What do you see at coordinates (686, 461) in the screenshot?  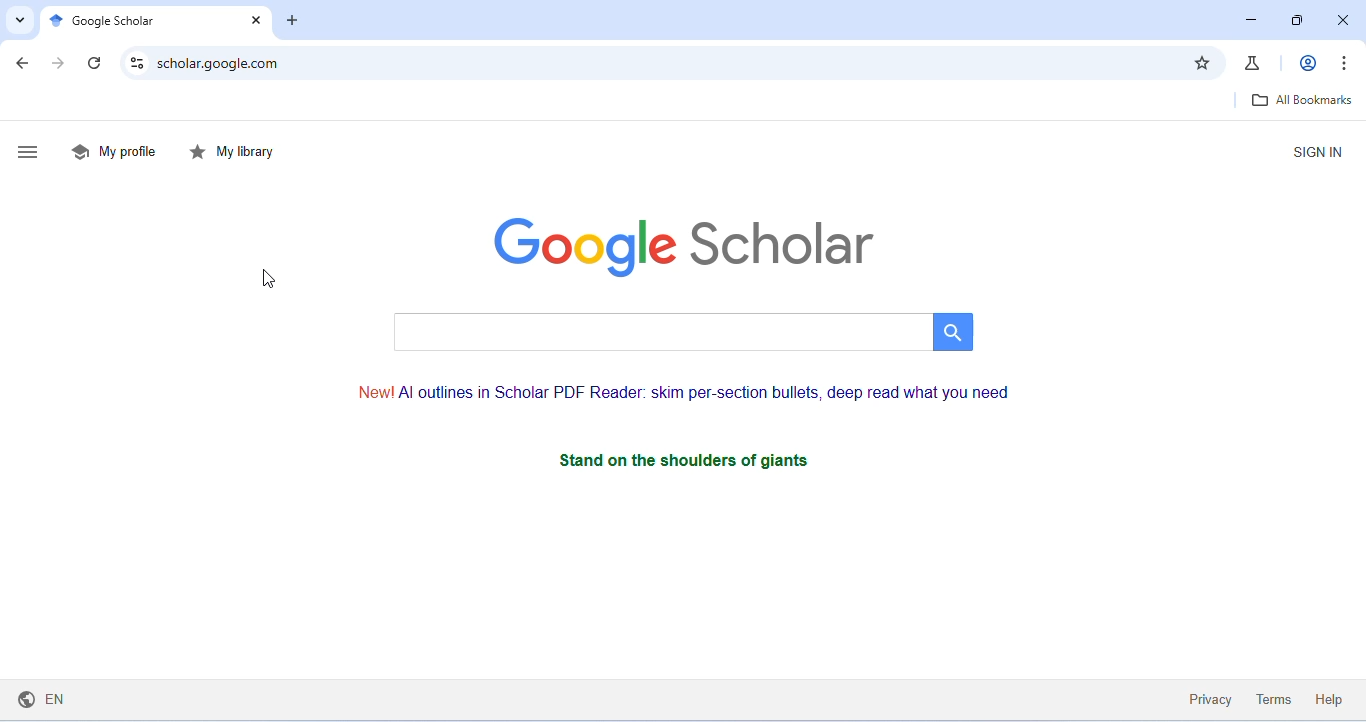 I see `stand on the shoulders of giants` at bounding box center [686, 461].